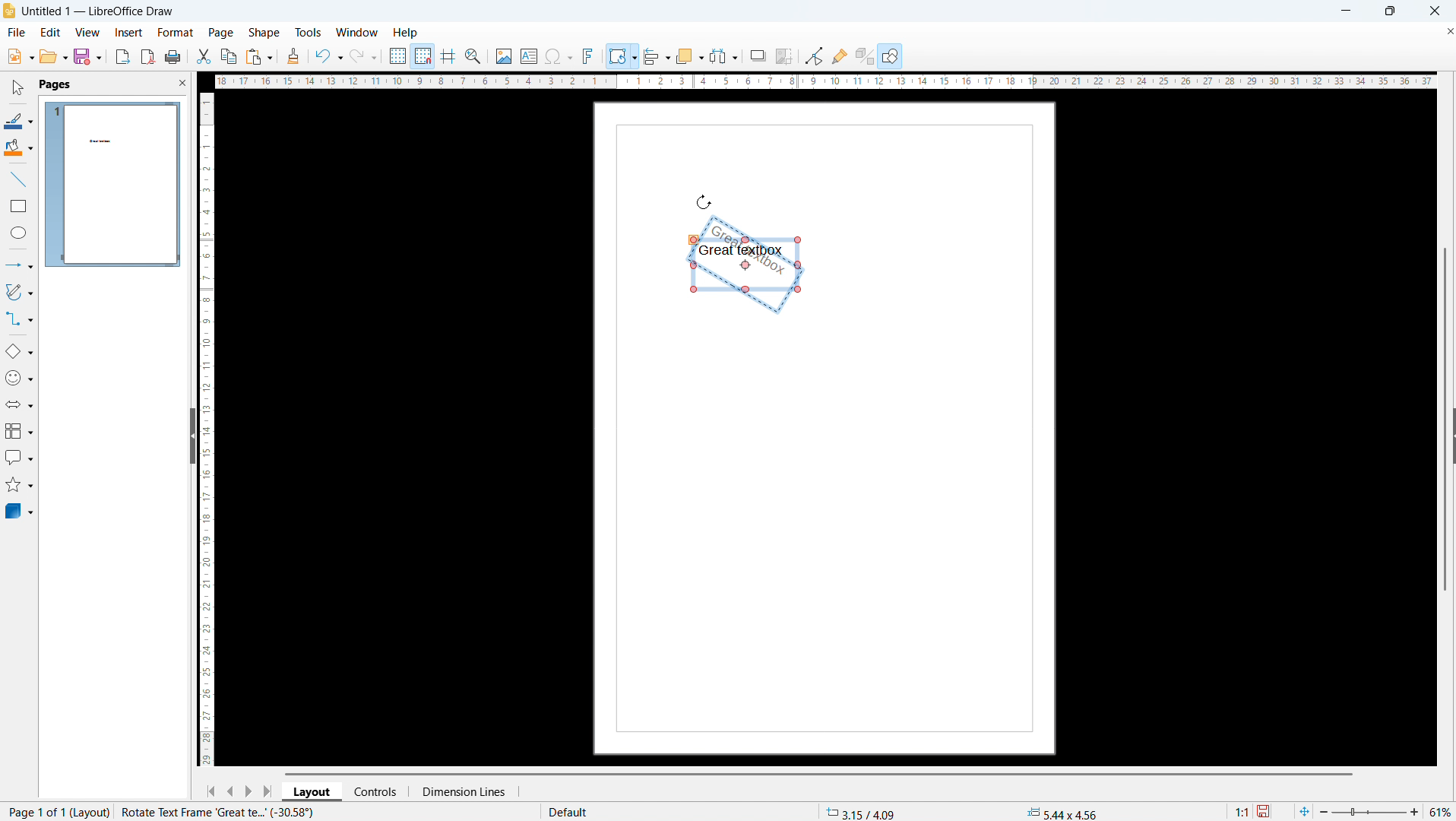 This screenshot has height=821, width=1456. Describe the element at coordinates (825, 83) in the screenshot. I see `horizontal ruler` at that location.